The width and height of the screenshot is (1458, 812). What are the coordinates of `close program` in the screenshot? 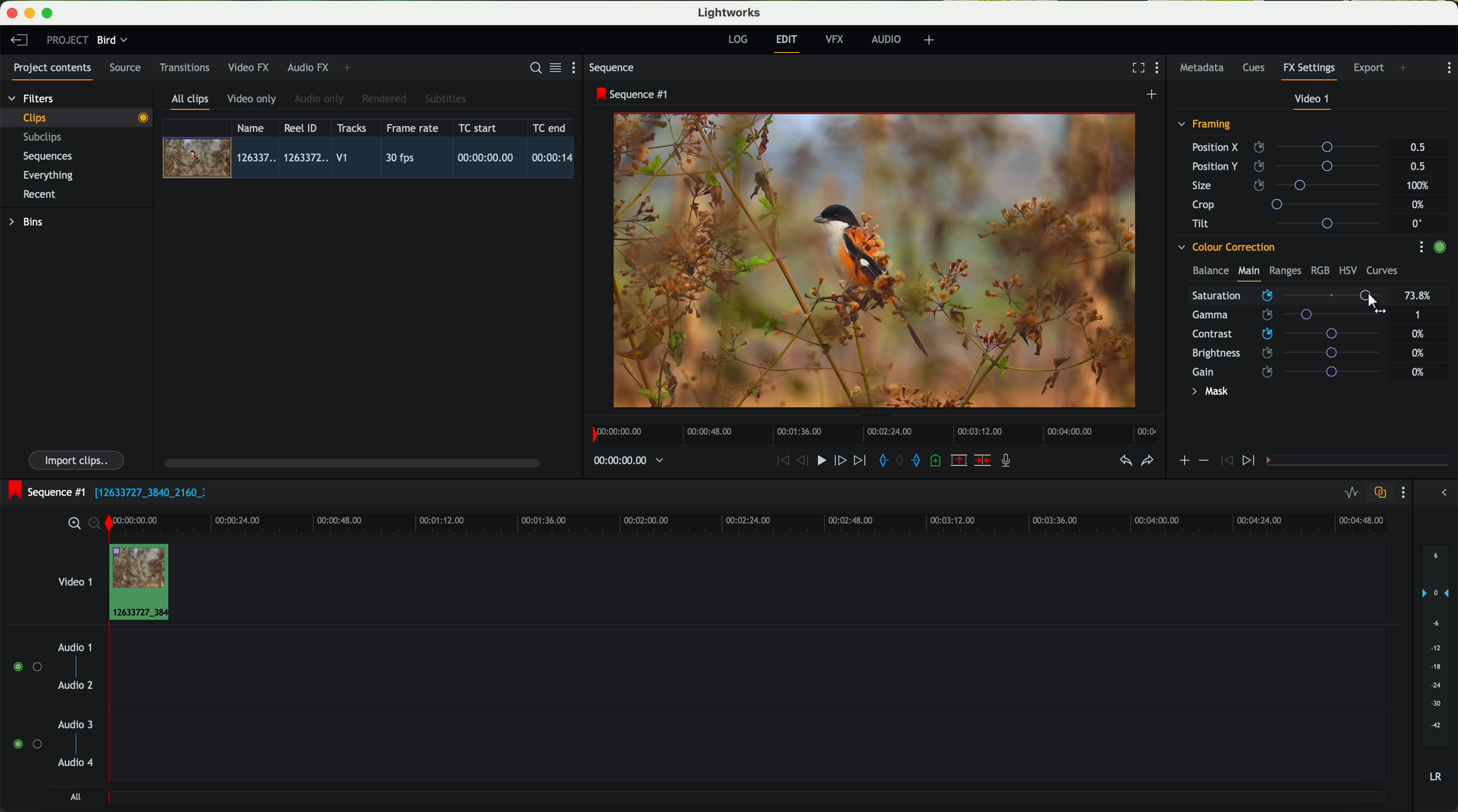 It's located at (12, 13).